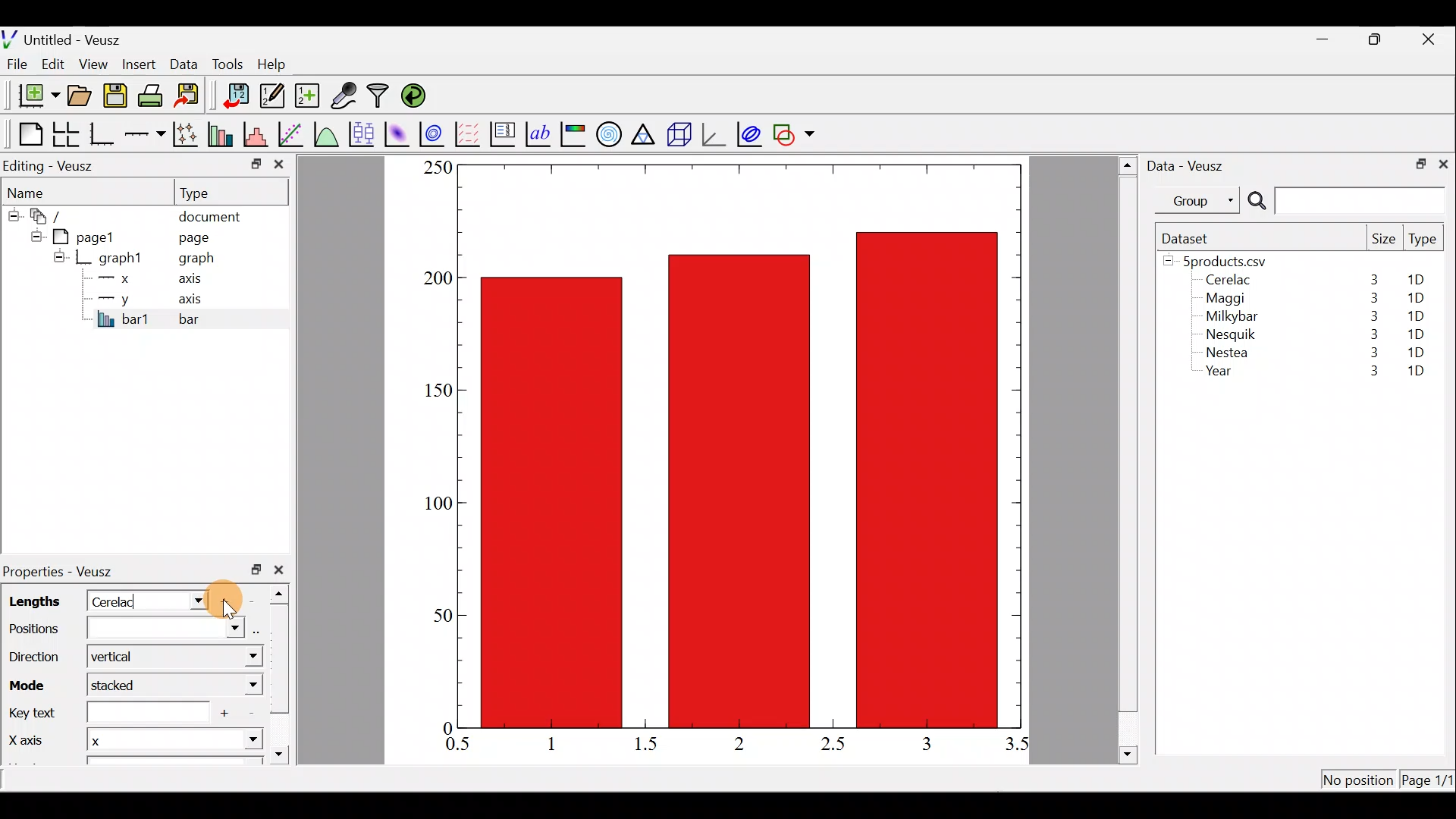 The width and height of the screenshot is (1456, 819). I want to click on pagel, so click(90, 235).